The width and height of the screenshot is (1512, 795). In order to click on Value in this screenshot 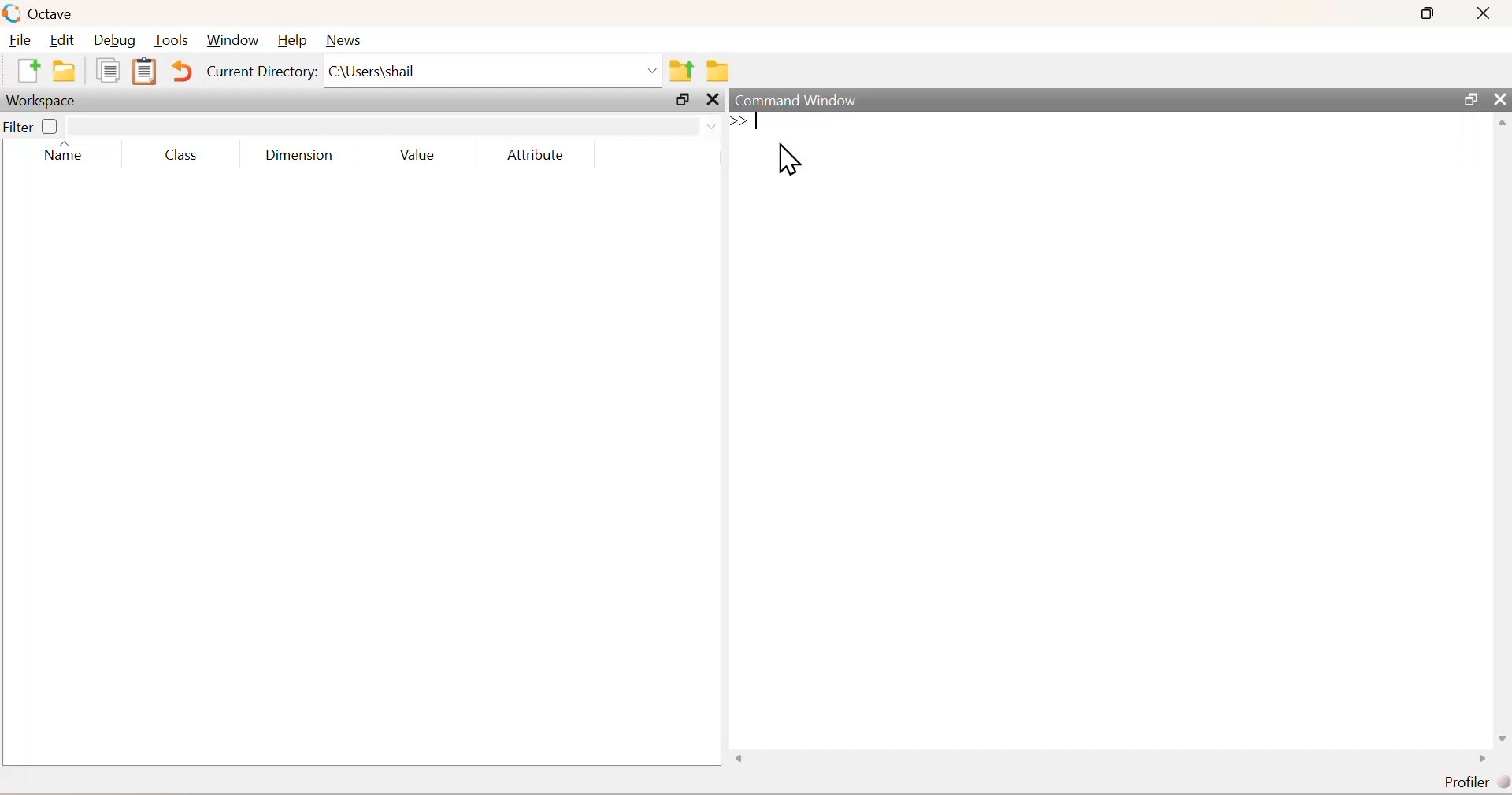, I will do `click(418, 155)`.